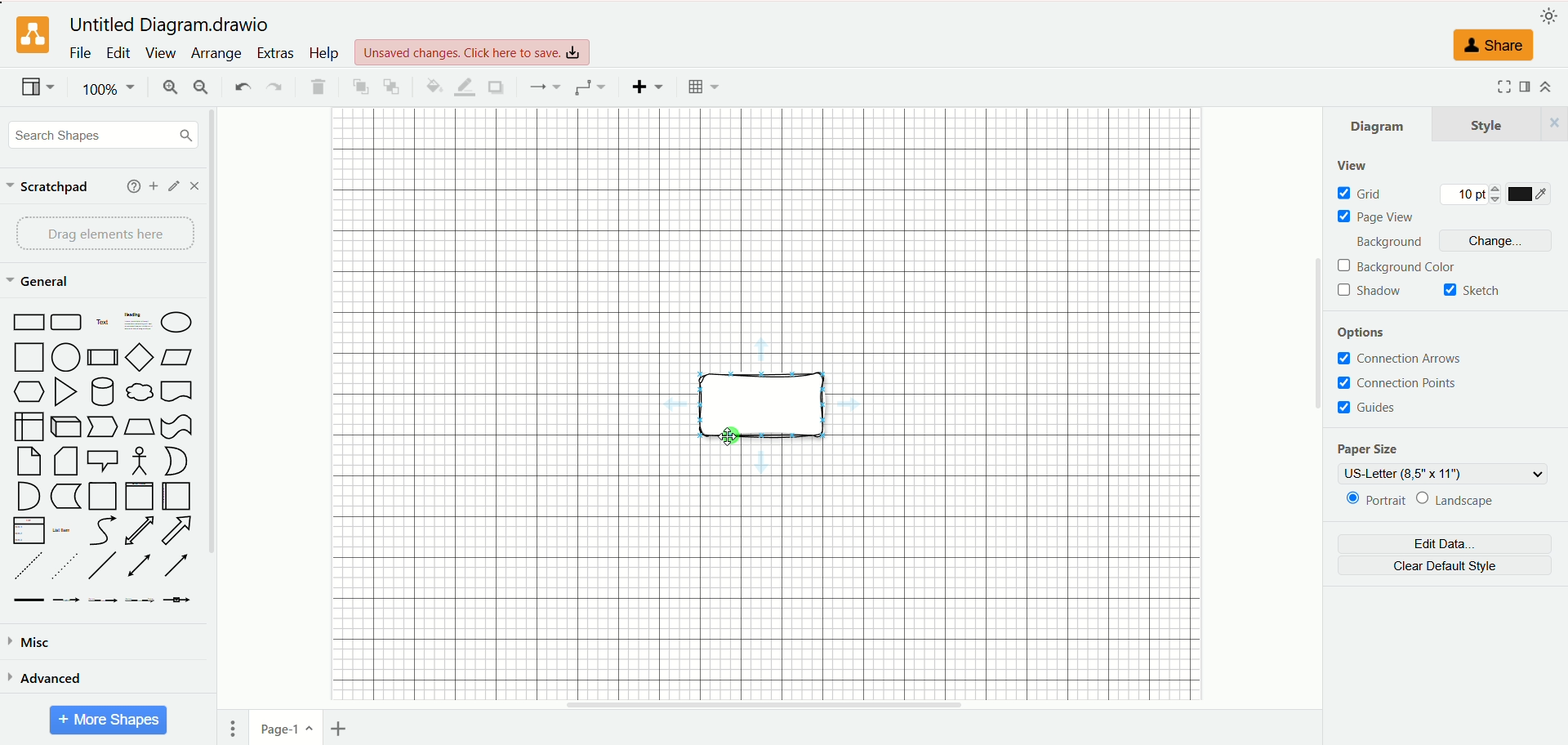  What do you see at coordinates (1445, 566) in the screenshot?
I see `clear default style` at bounding box center [1445, 566].